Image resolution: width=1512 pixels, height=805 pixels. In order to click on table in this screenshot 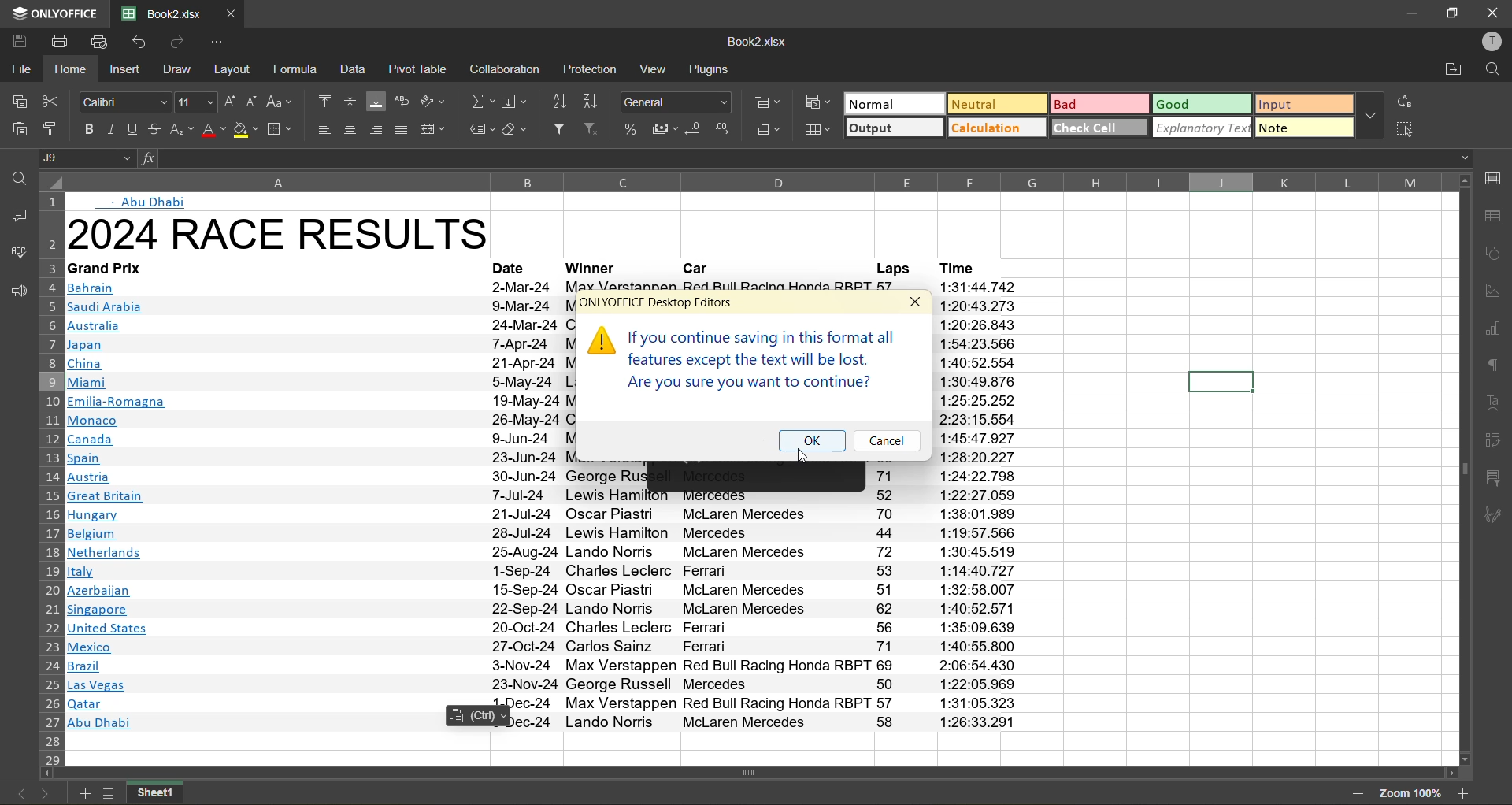, I will do `click(1494, 219)`.